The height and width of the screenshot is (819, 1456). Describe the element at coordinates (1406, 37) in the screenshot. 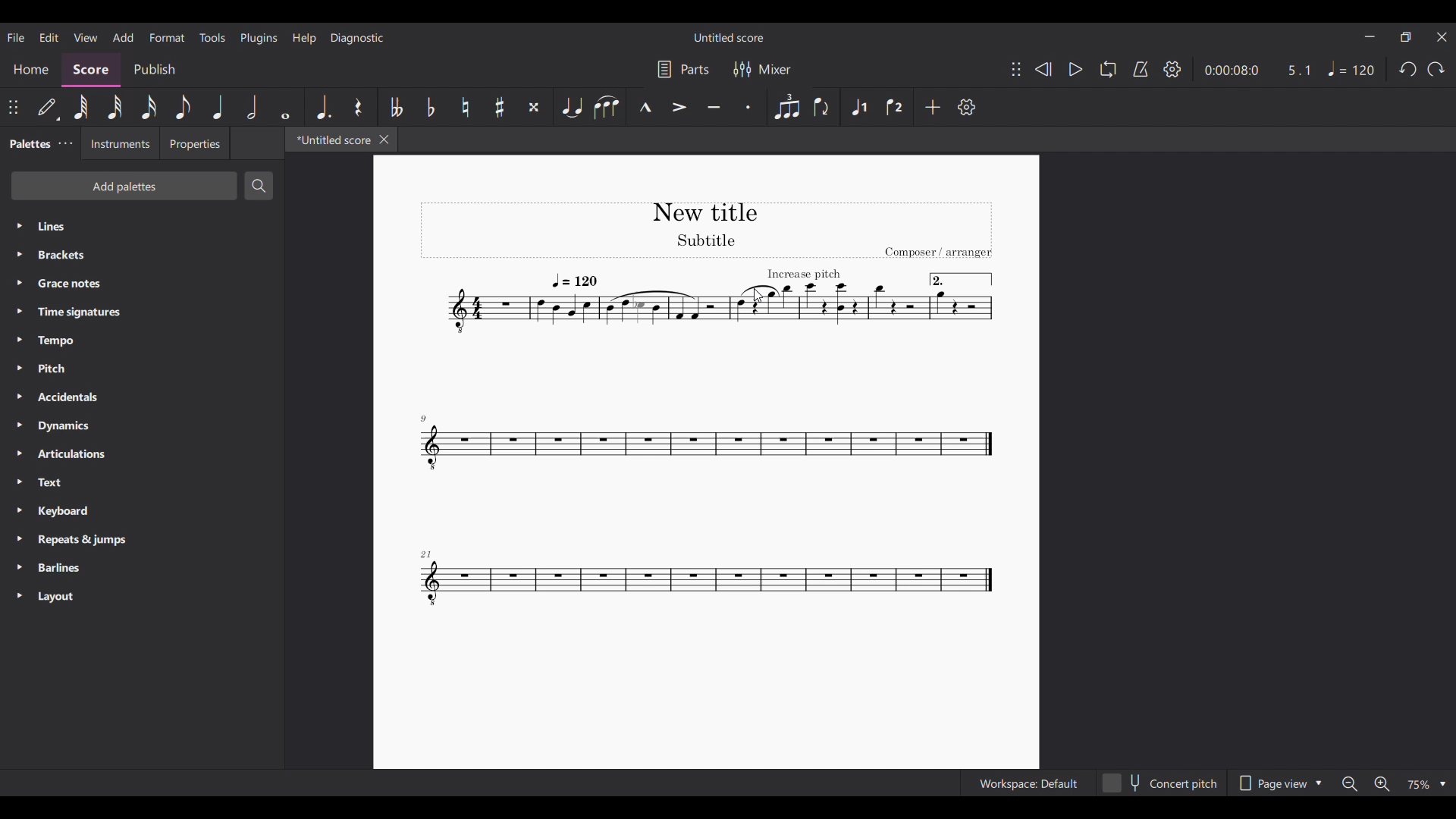

I see `Show in smaller tab` at that location.